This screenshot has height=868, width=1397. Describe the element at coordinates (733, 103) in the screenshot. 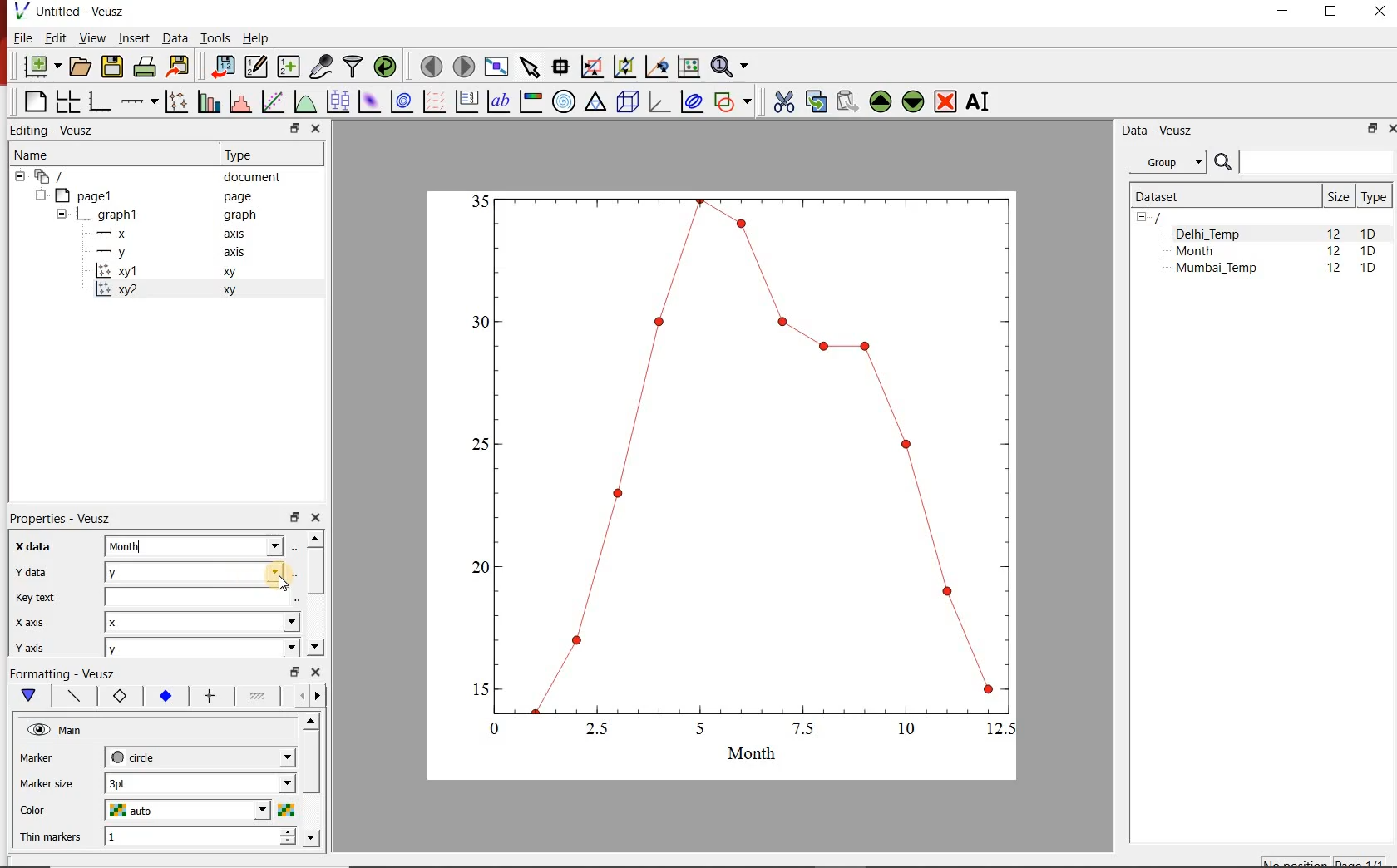

I see `add a shape to the plot` at that location.